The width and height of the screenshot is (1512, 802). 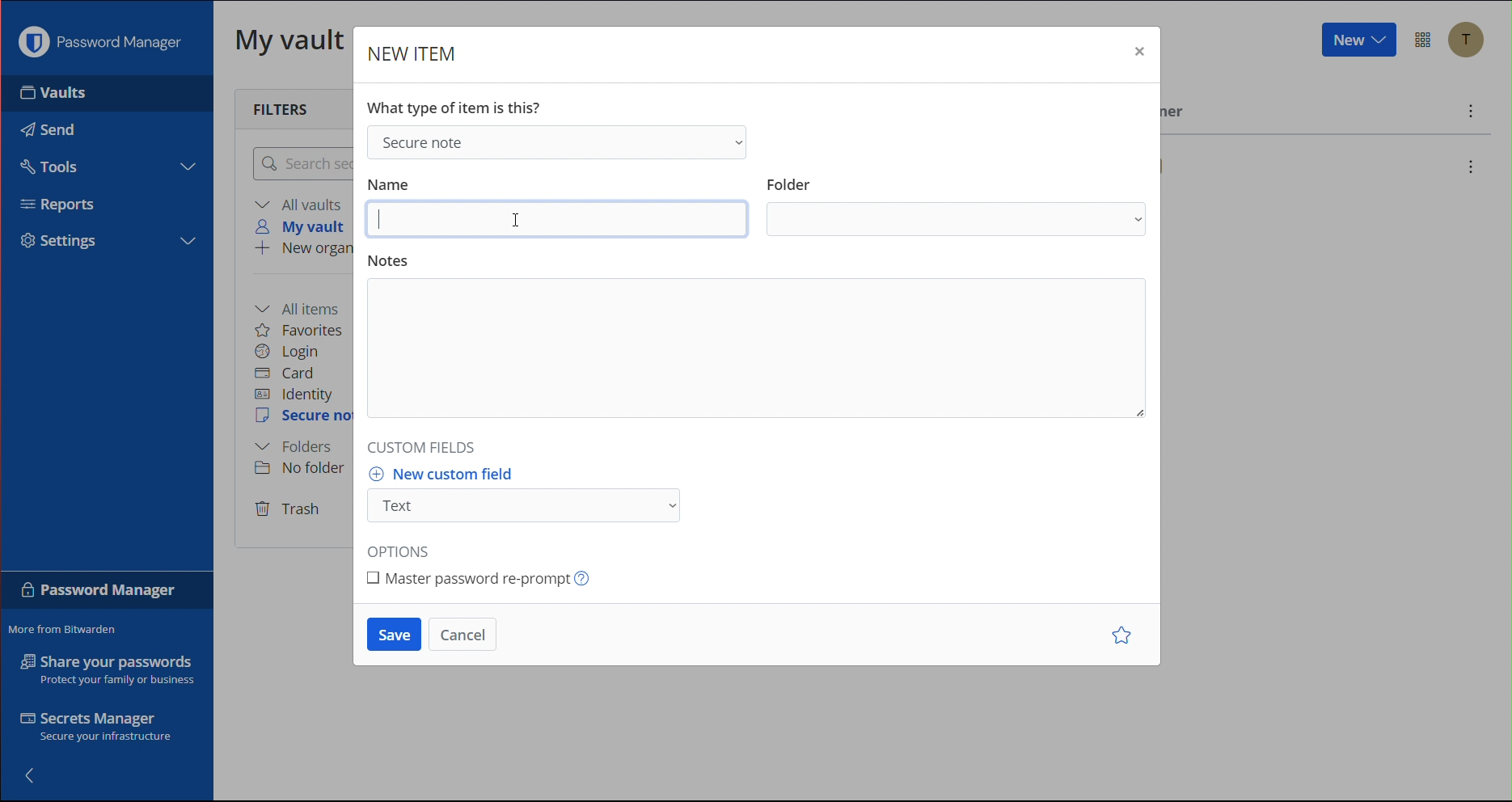 What do you see at coordinates (557, 218) in the screenshot?
I see `Name` at bounding box center [557, 218].